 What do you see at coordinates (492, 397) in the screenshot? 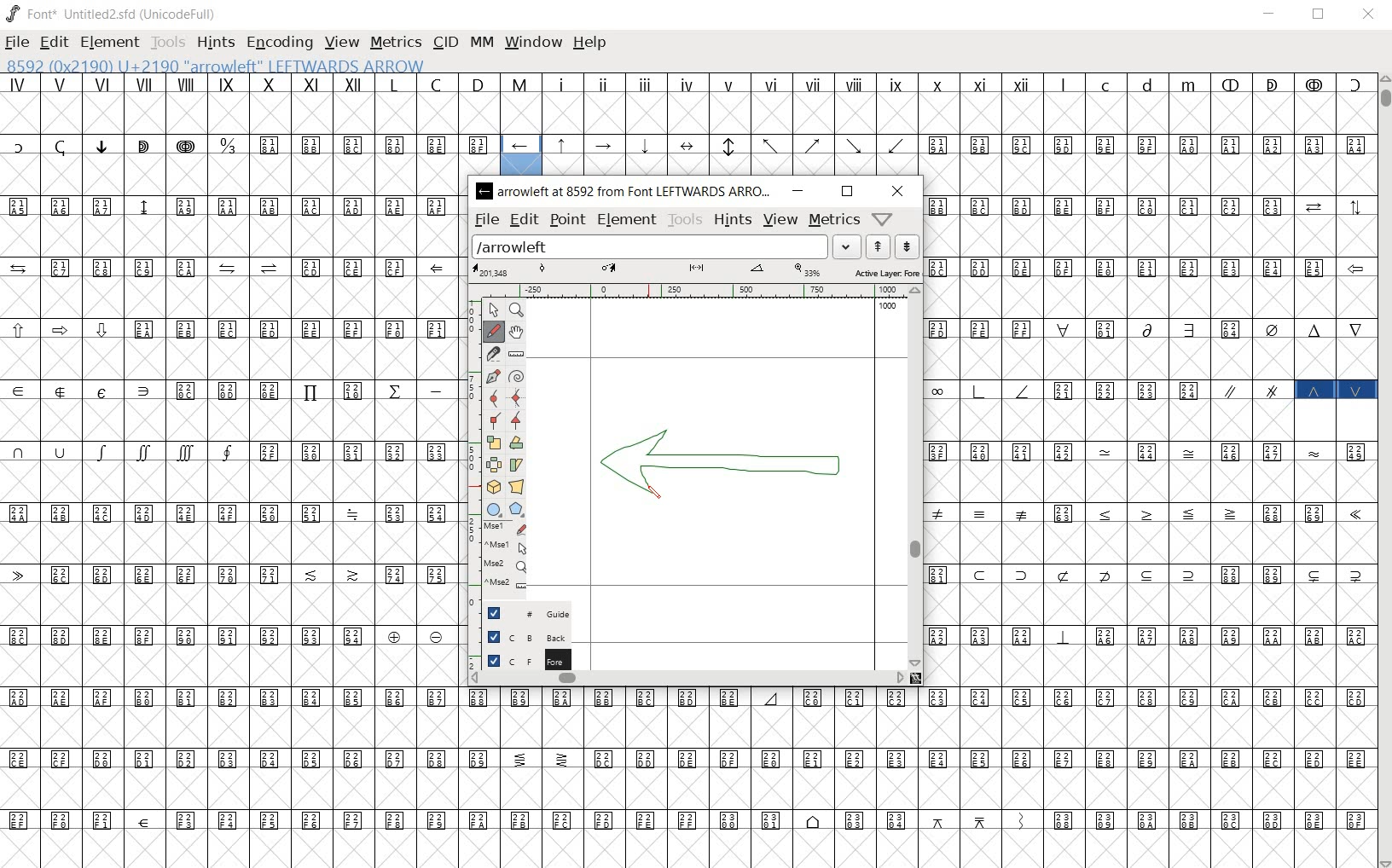
I see `add a curve point` at bounding box center [492, 397].